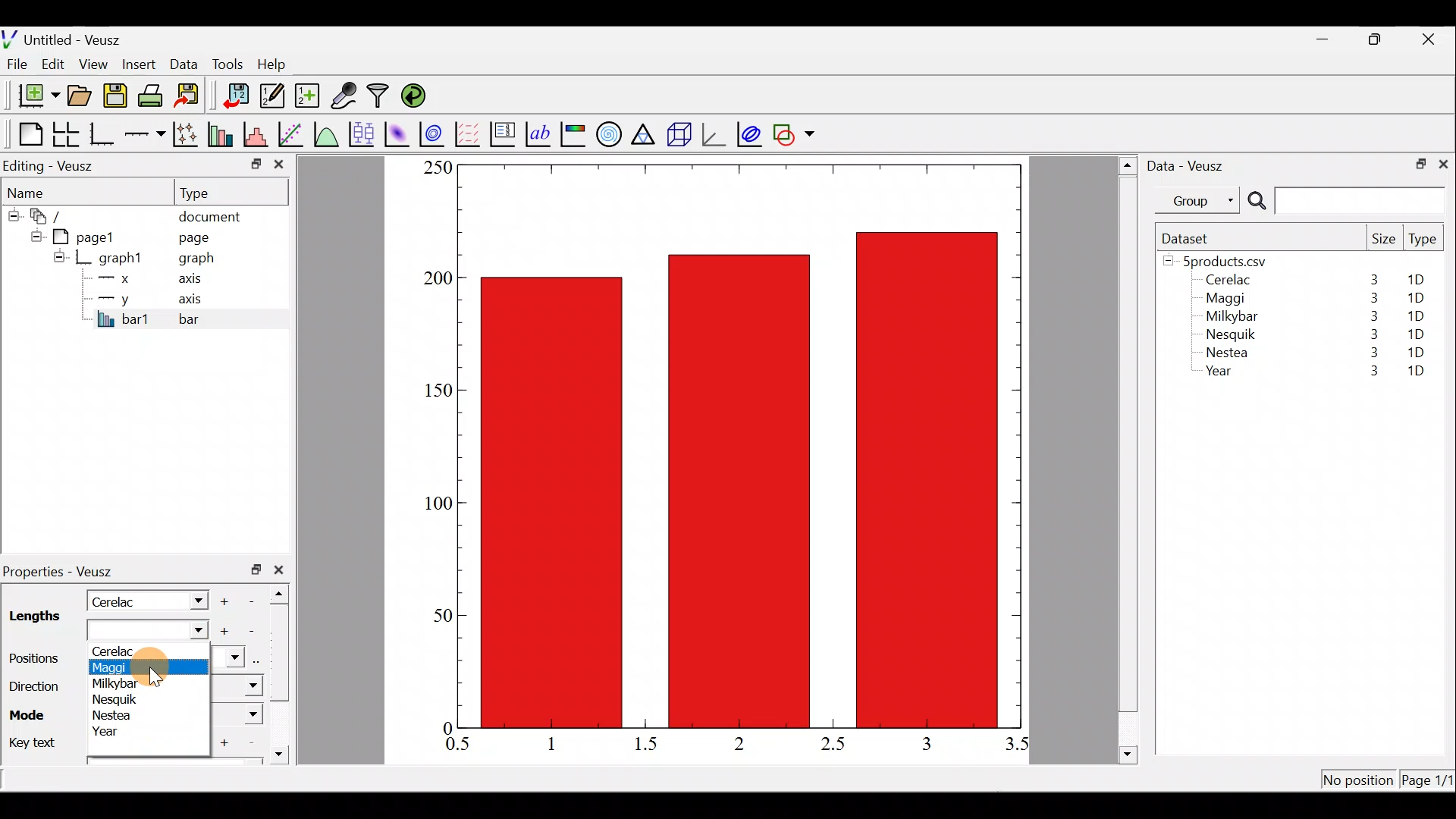 The height and width of the screenshot is (819, 1456). I want to click on Text label, so click(540, 132).